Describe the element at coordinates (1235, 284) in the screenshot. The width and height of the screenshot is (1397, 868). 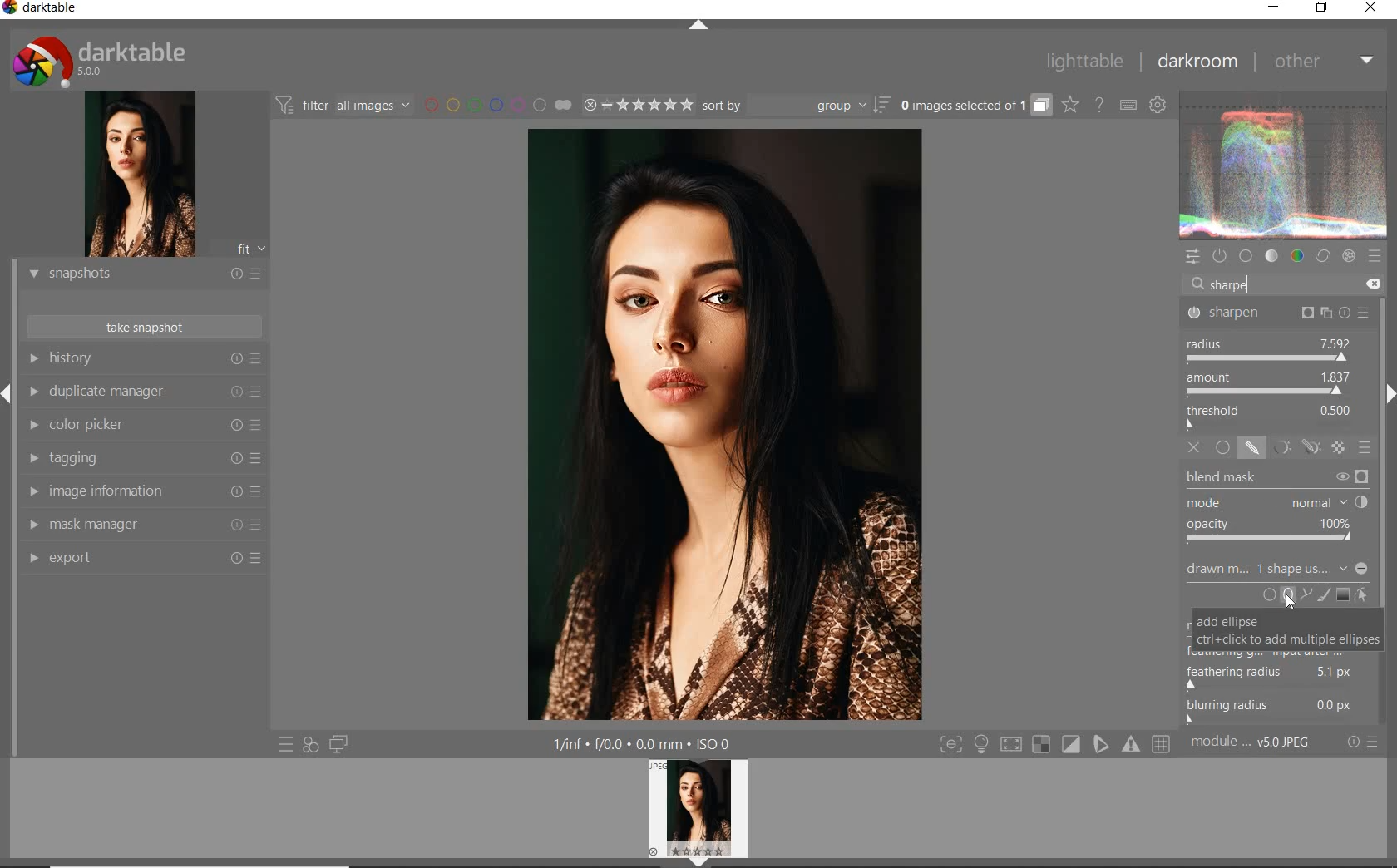
I see `INPUT VALUE` at that location.